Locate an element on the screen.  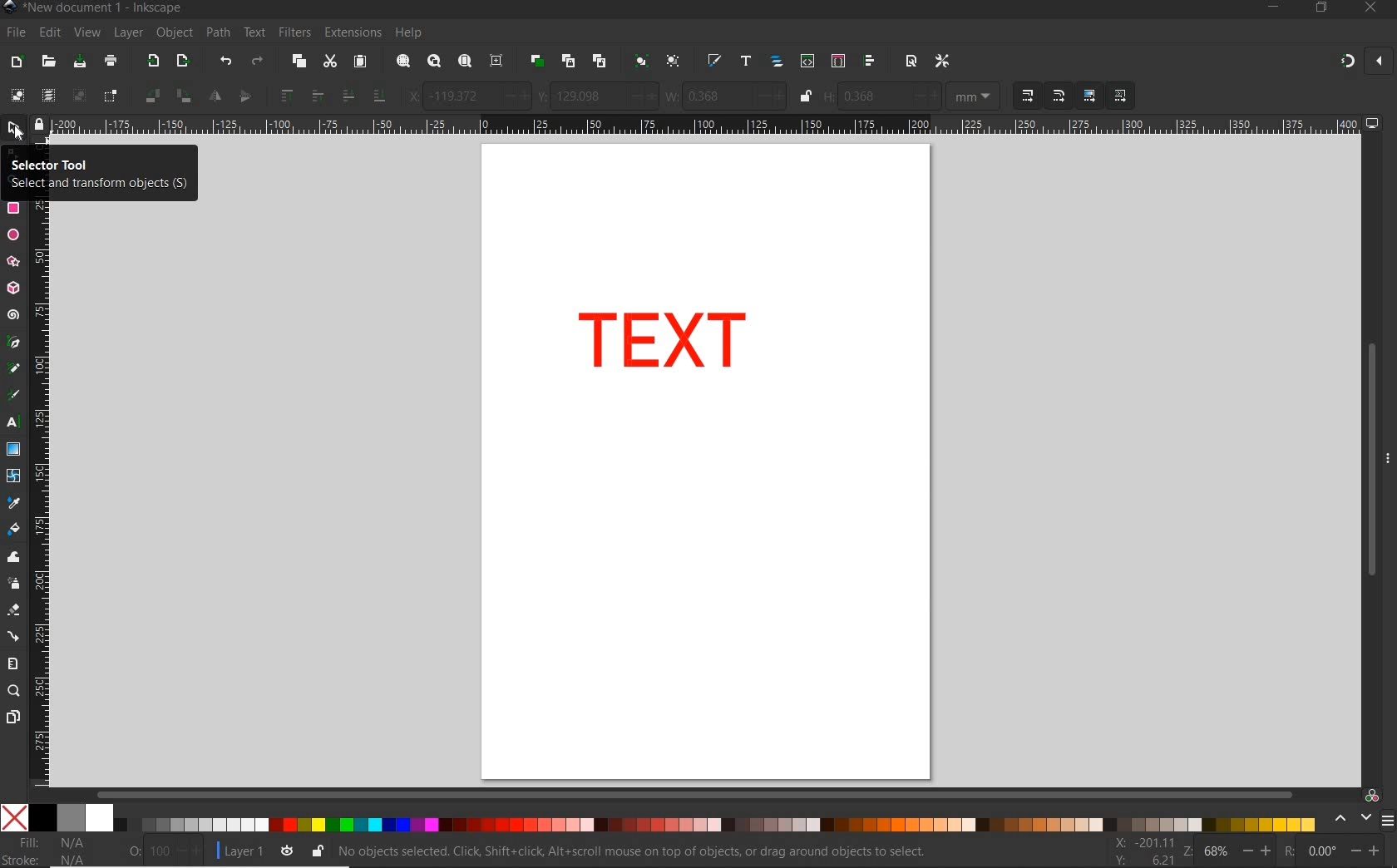
RECTANGLE TOOL is located at coordinates (14, 209).